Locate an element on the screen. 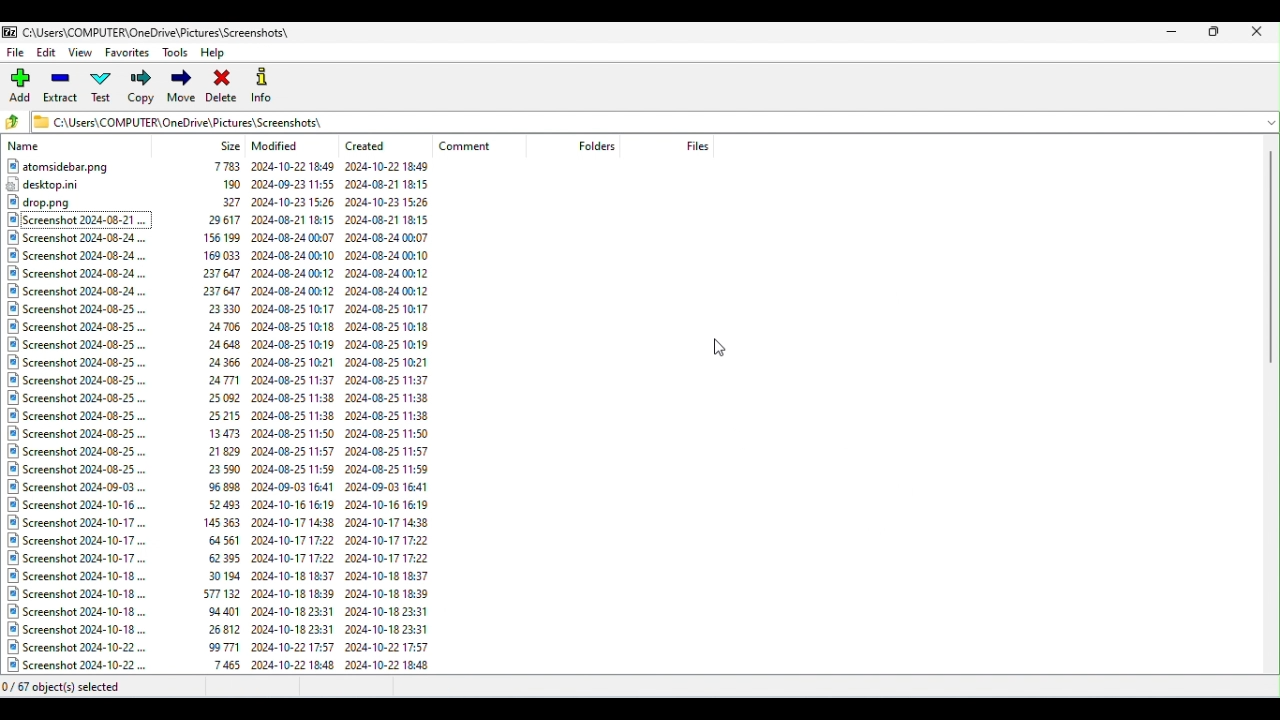  View is located at coordinates (83, 54).